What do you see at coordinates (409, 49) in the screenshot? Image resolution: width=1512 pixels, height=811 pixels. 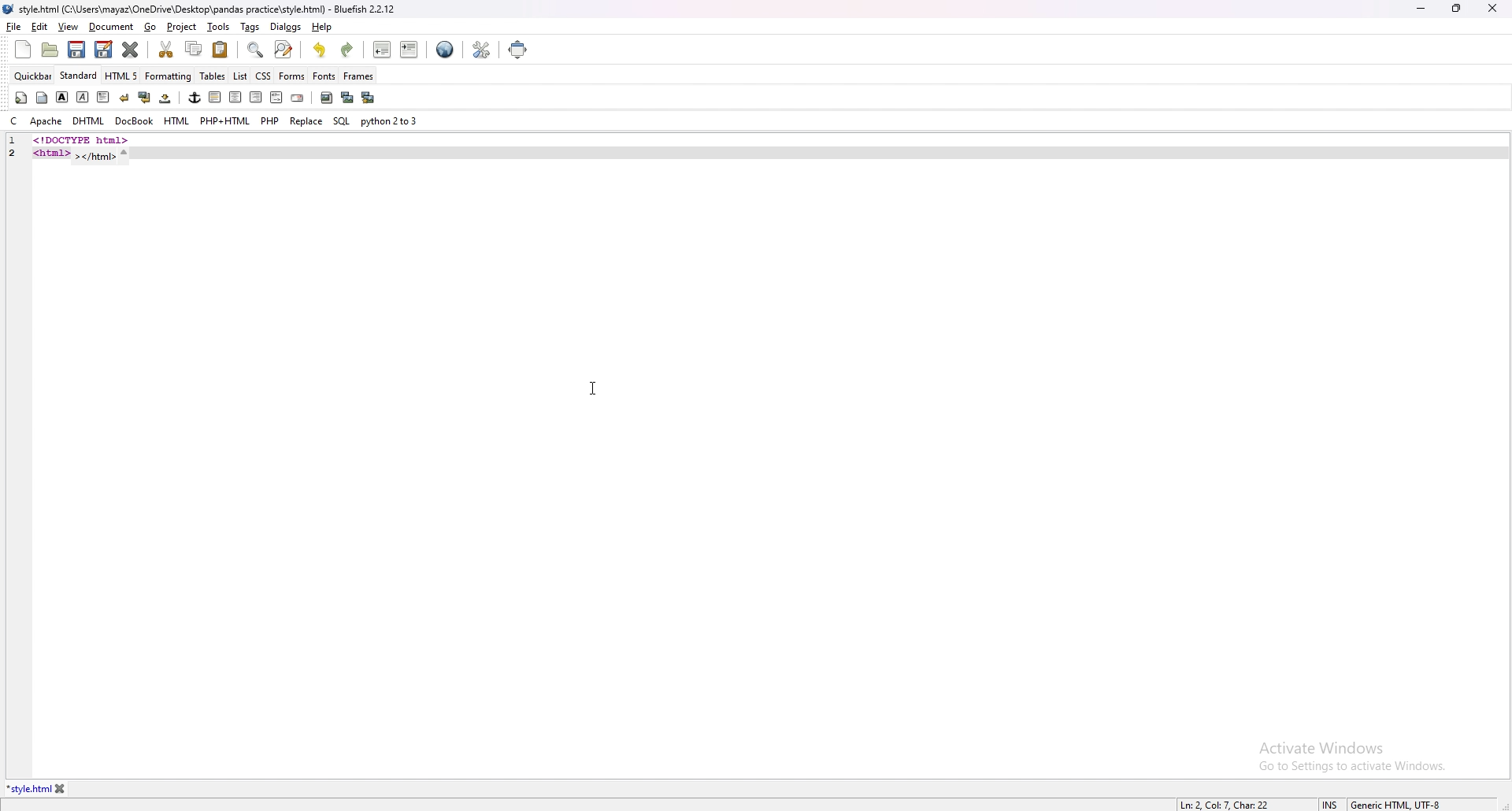 I see `indent` at bounding box center [409, 49].